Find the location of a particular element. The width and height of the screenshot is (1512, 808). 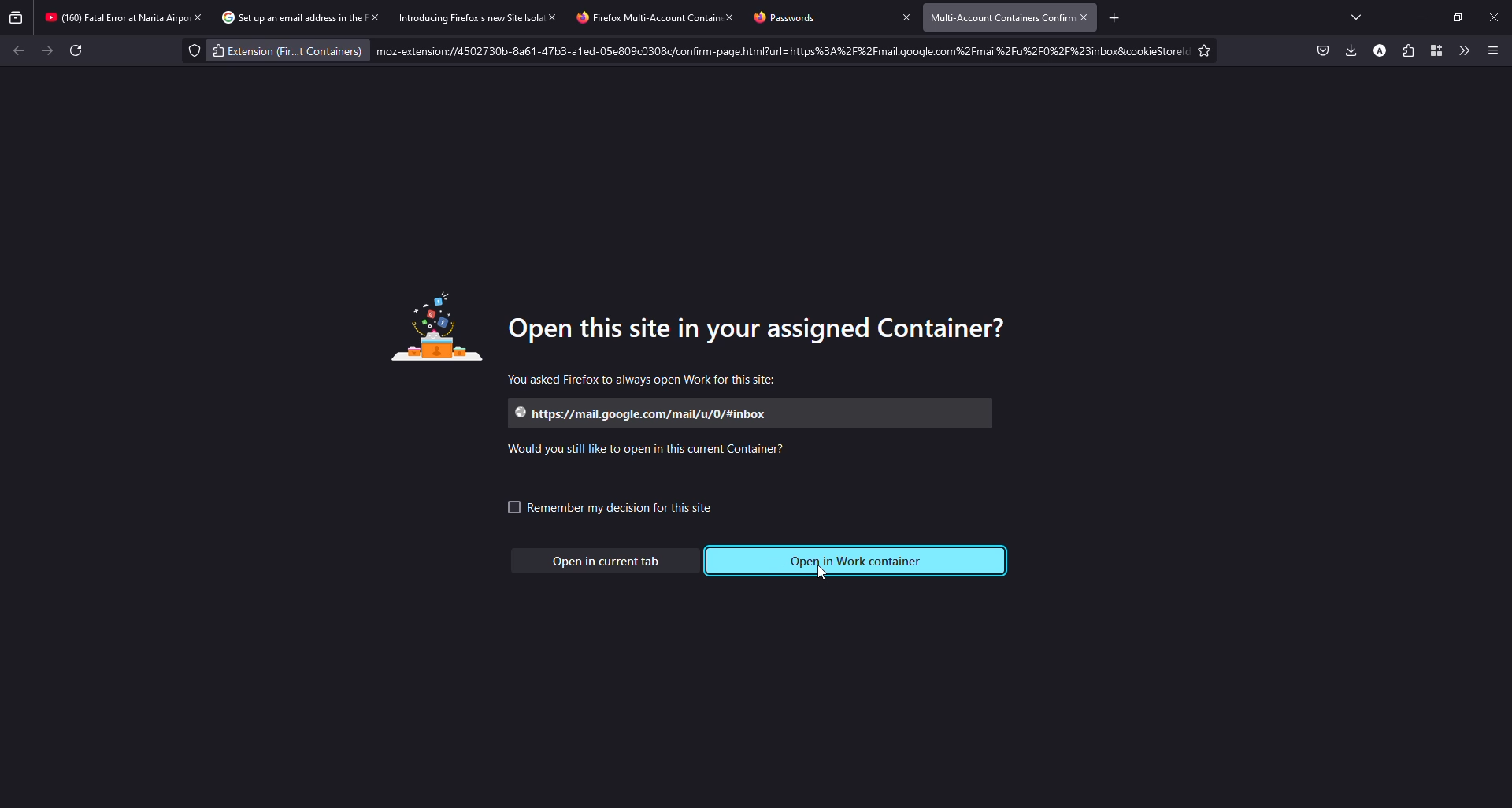

add is located at coordinates (1111, 18).